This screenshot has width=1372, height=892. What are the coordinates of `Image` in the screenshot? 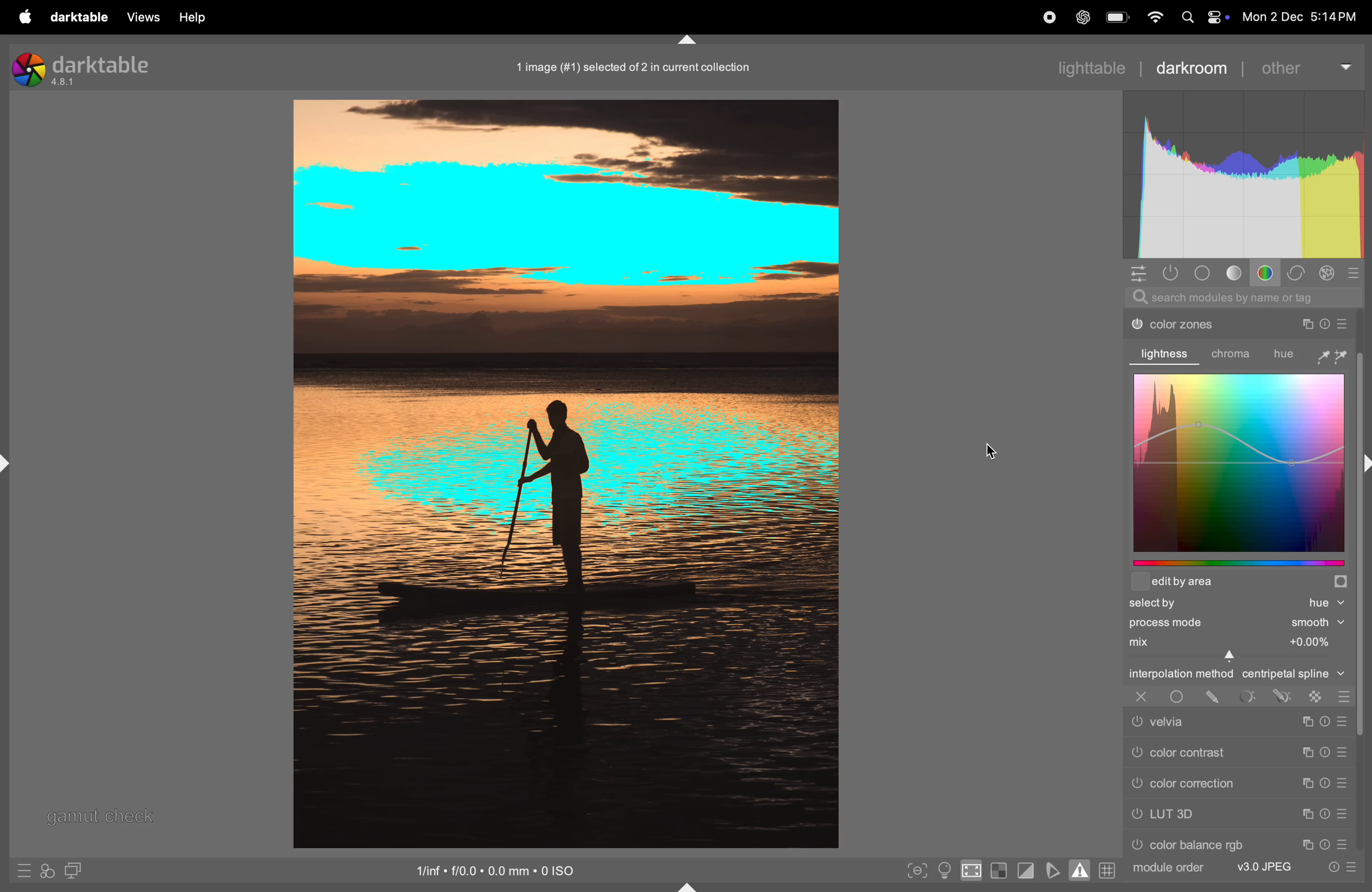 It's located at (564, 473).